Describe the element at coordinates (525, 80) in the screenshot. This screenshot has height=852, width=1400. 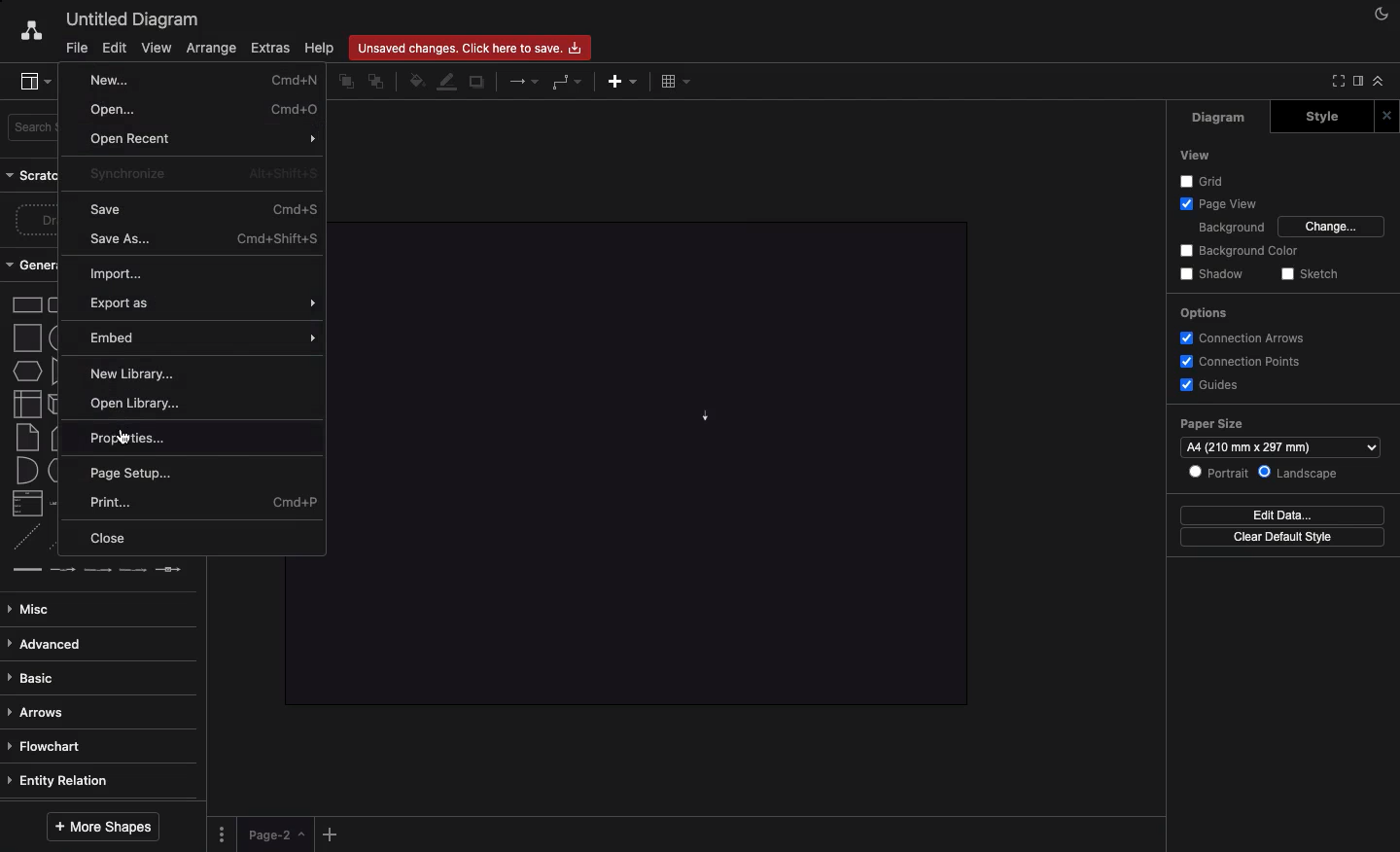
I see `Arrows` at that location.